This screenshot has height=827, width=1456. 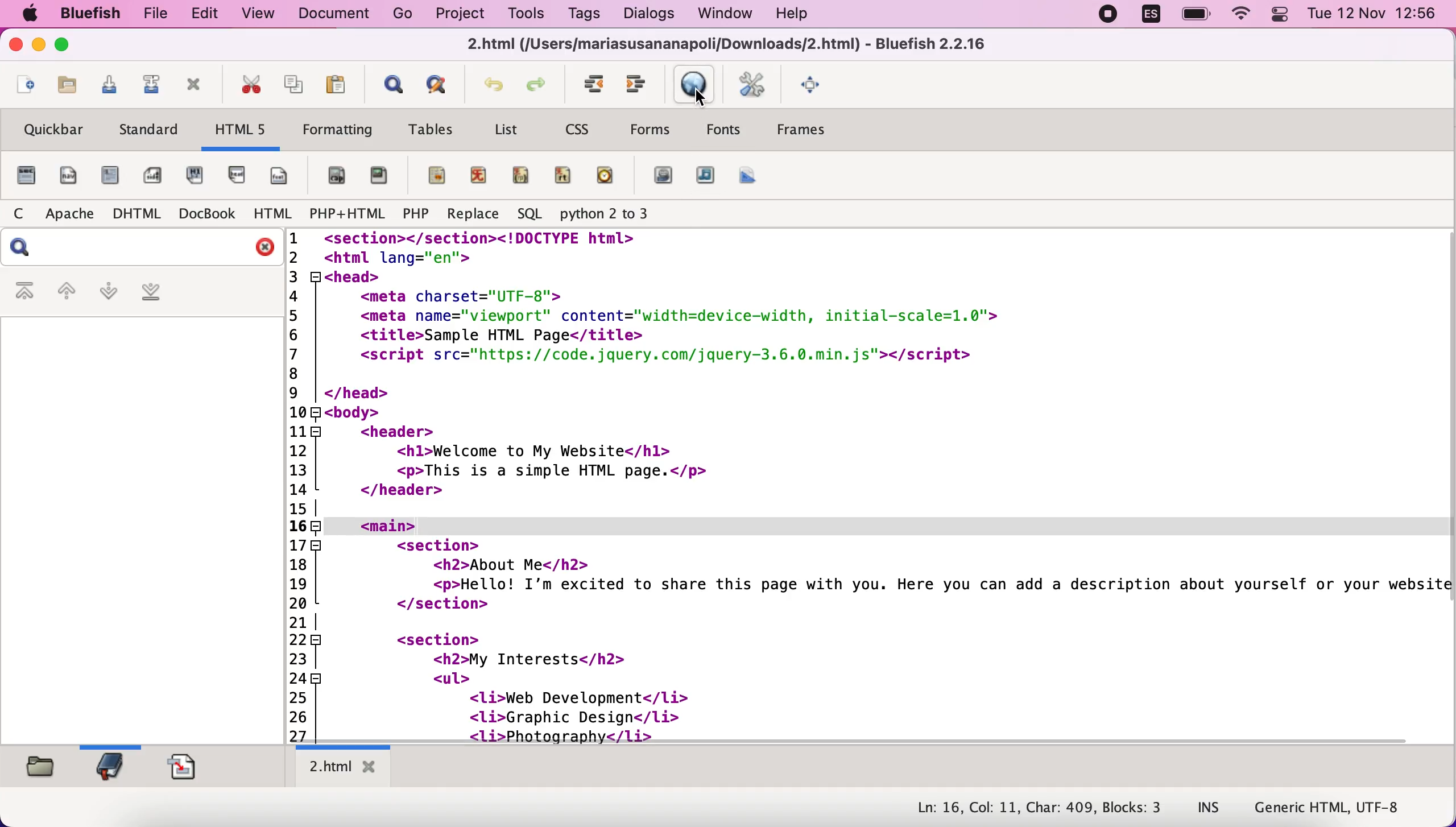 I want to click on recording stopped, so click(x=1111, y=15).